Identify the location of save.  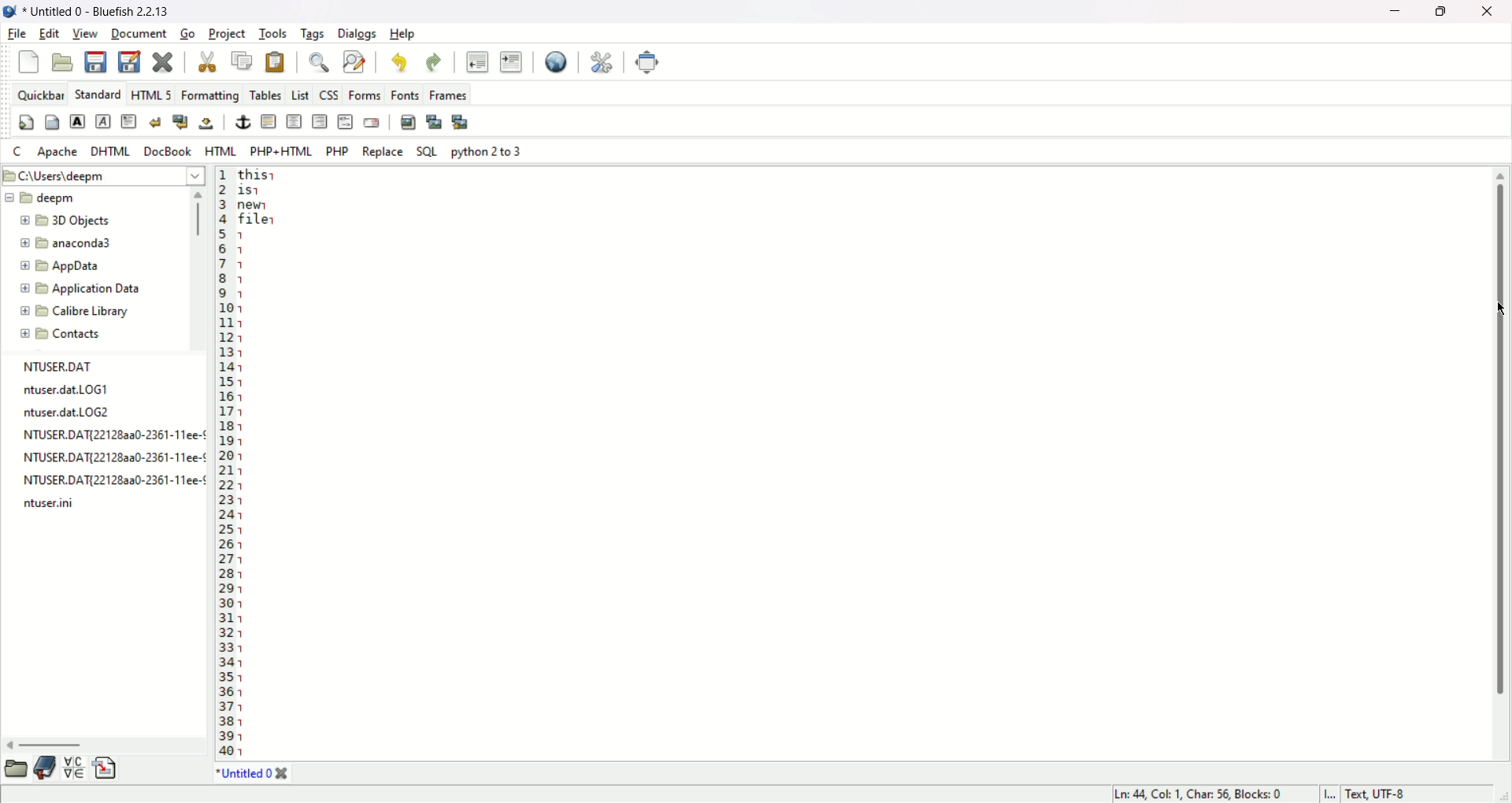
(98, 61).